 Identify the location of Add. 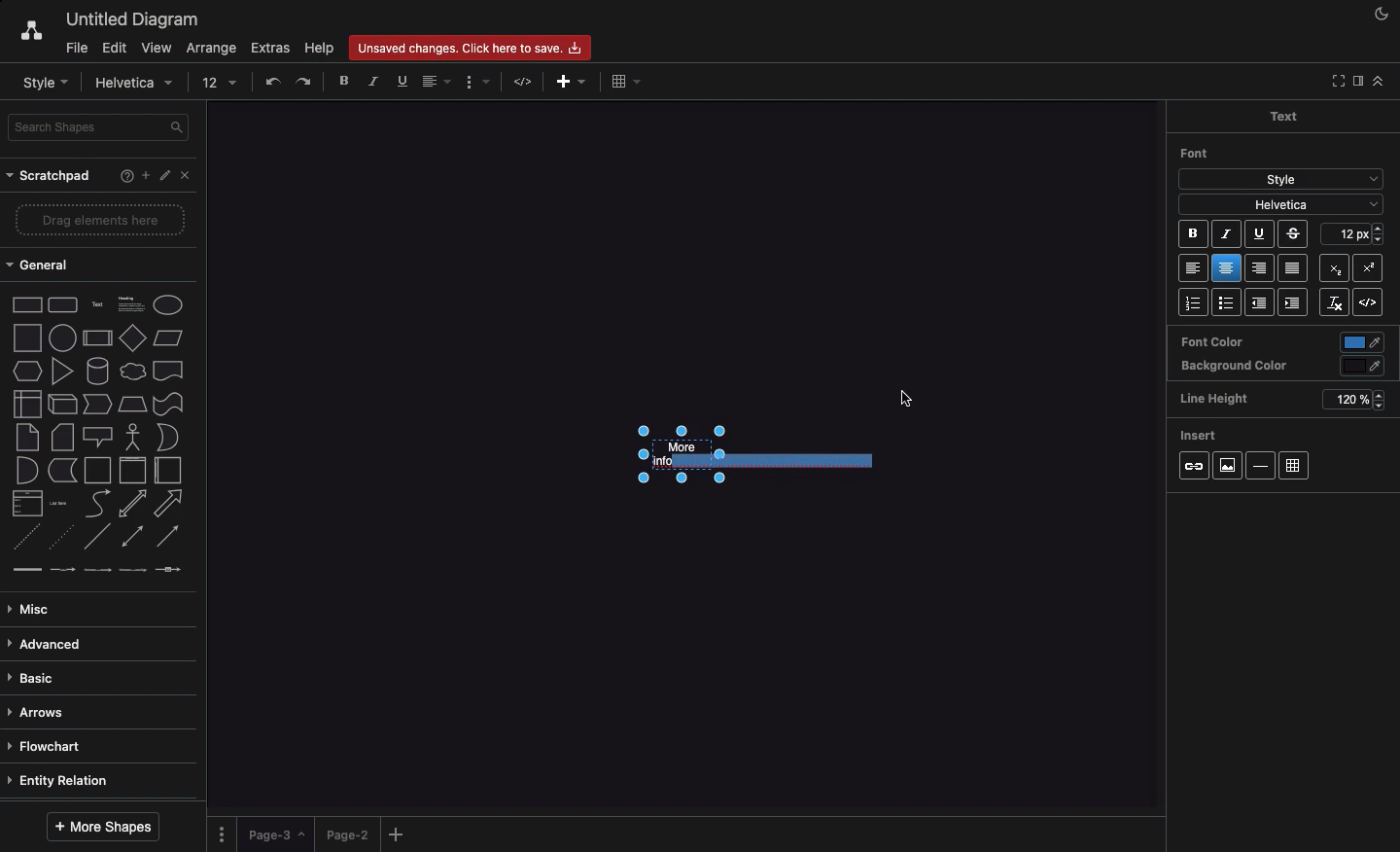
(564, 83).